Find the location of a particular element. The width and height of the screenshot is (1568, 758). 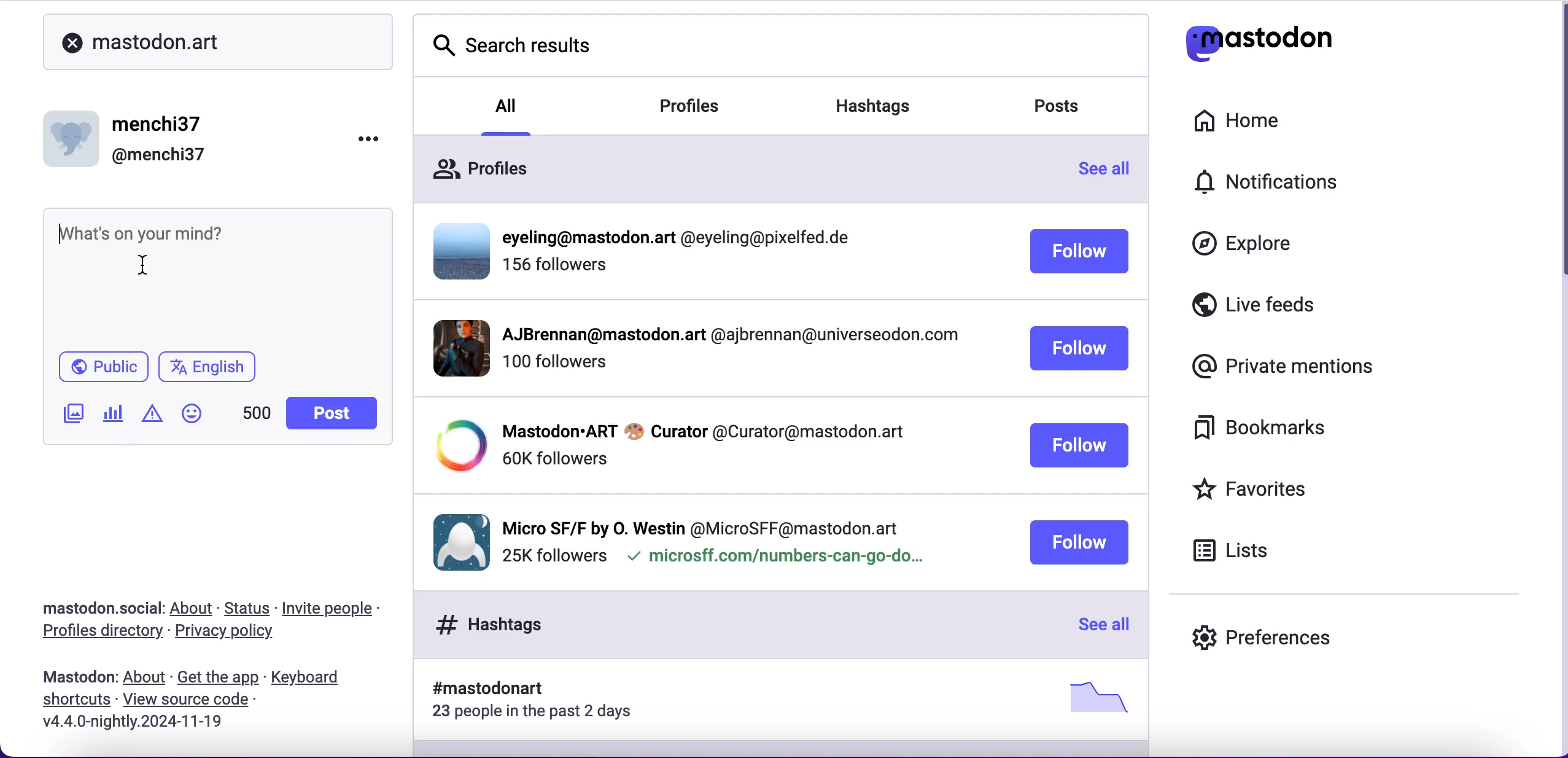

characters is located at coordinates (256, 413).